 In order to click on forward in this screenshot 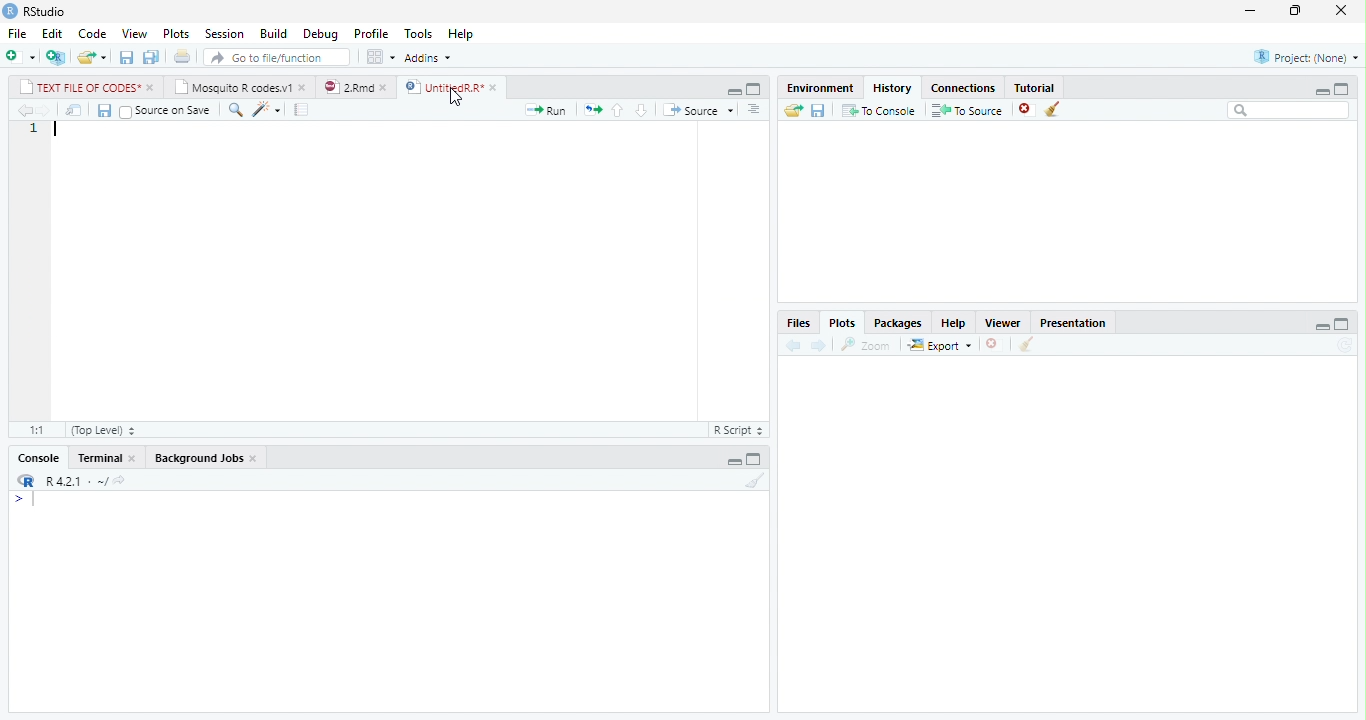, I will do `click(817, 345)`.